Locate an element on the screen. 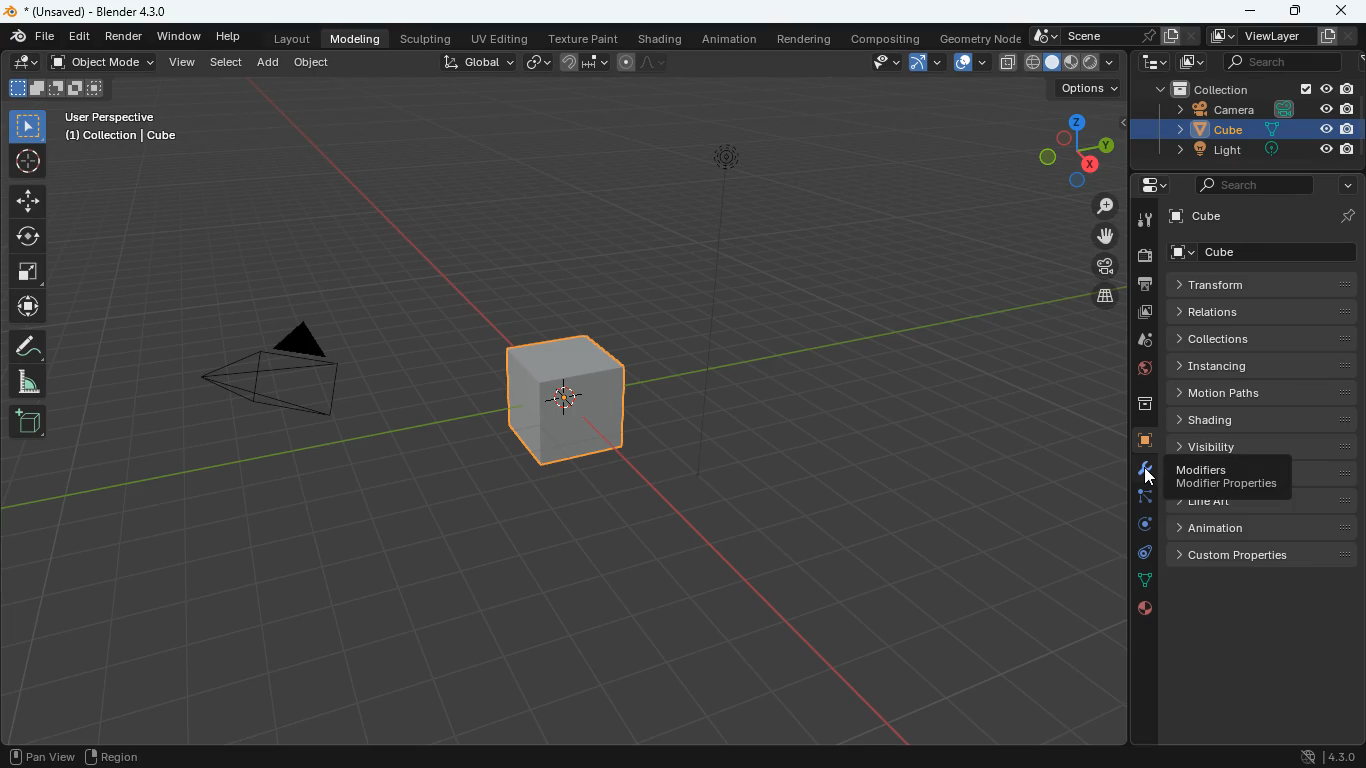 Image resolution: width=1366 pixels, height=768 pixels. archive is located at coordinates (1134, 404).